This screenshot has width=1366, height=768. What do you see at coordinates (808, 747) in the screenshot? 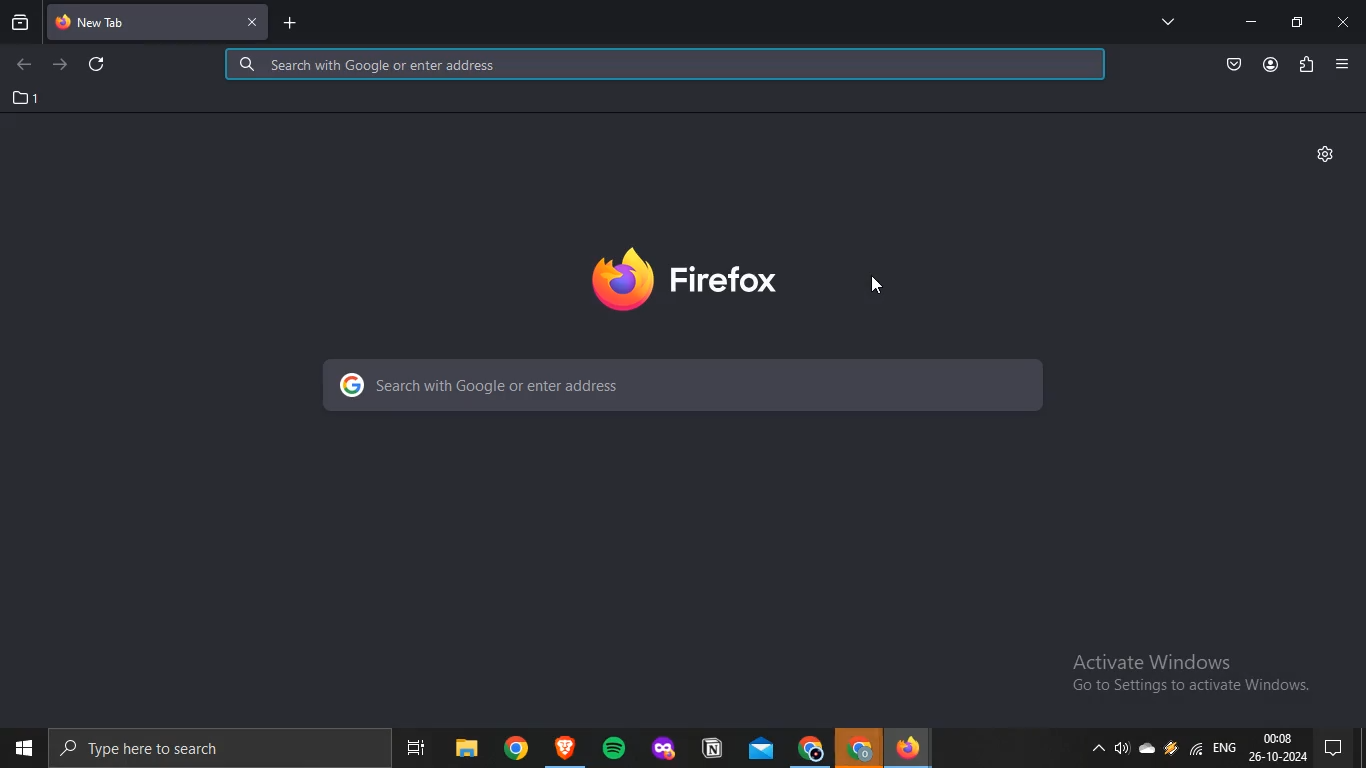
I see `chrome` at bounding box center [808, 747].